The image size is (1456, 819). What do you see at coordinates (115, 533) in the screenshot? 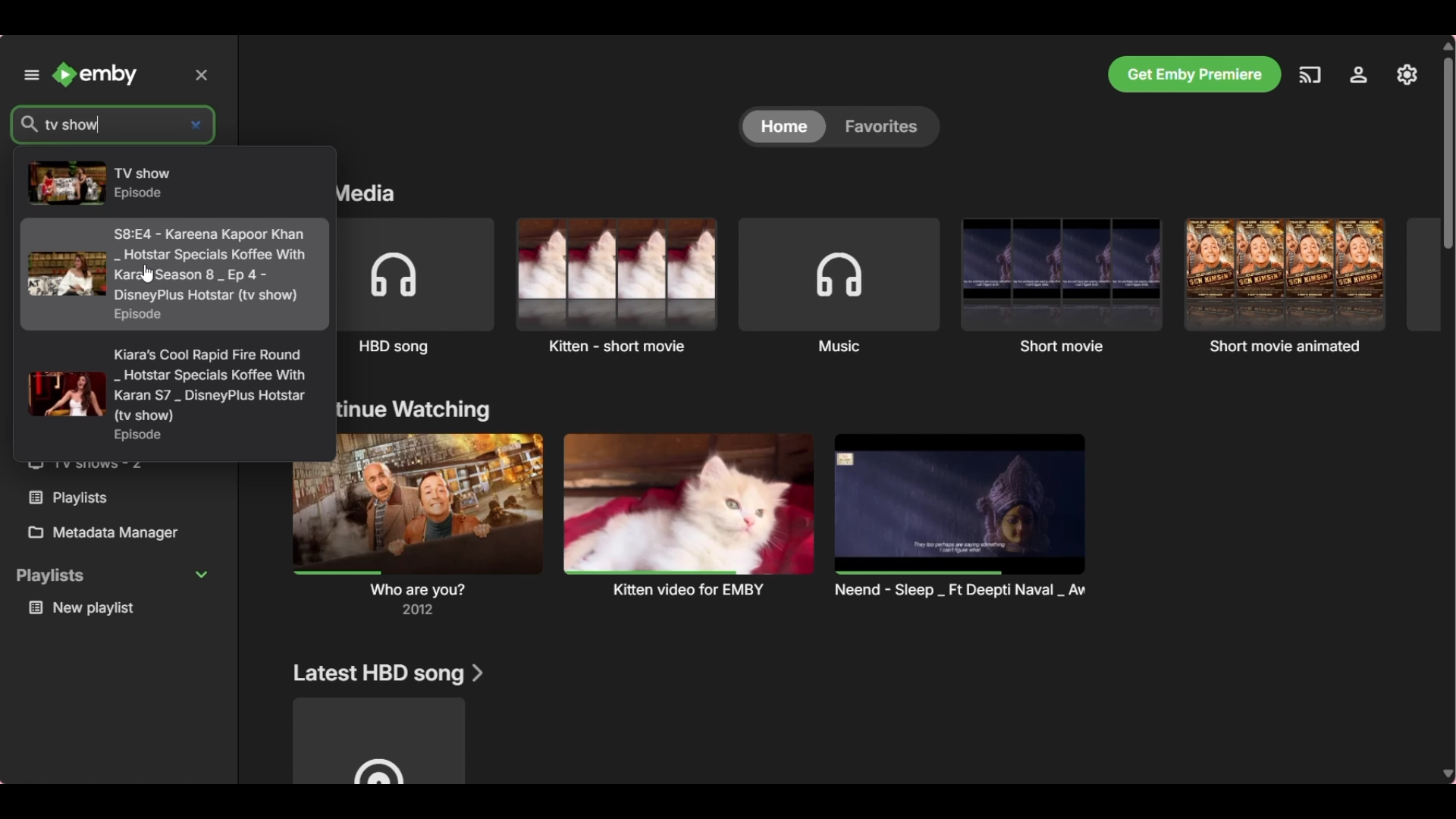
I see `Metadata manager` at bounding box center [115, 533].